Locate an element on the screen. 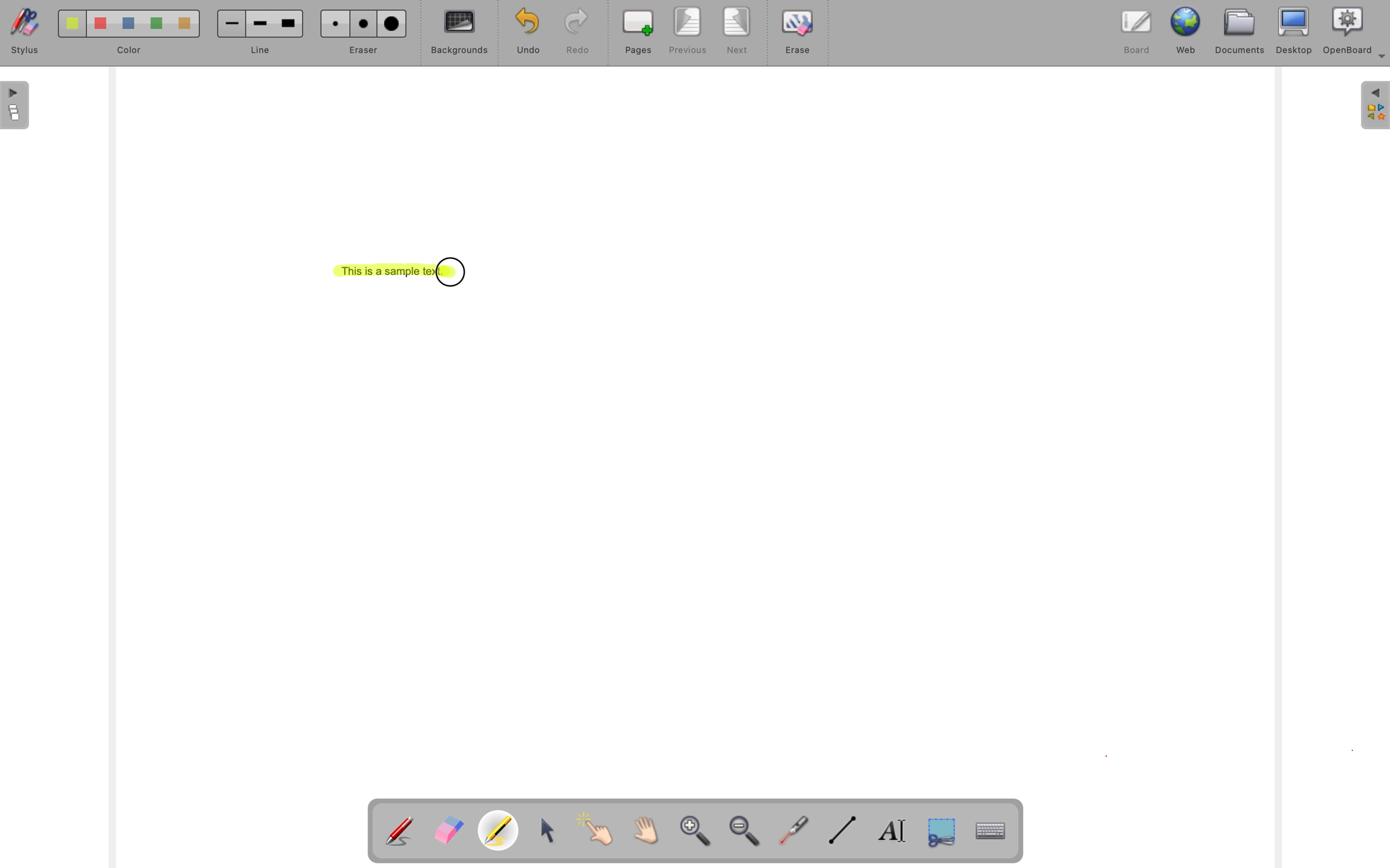  Medium eraser is located at coordinates (365, 25).